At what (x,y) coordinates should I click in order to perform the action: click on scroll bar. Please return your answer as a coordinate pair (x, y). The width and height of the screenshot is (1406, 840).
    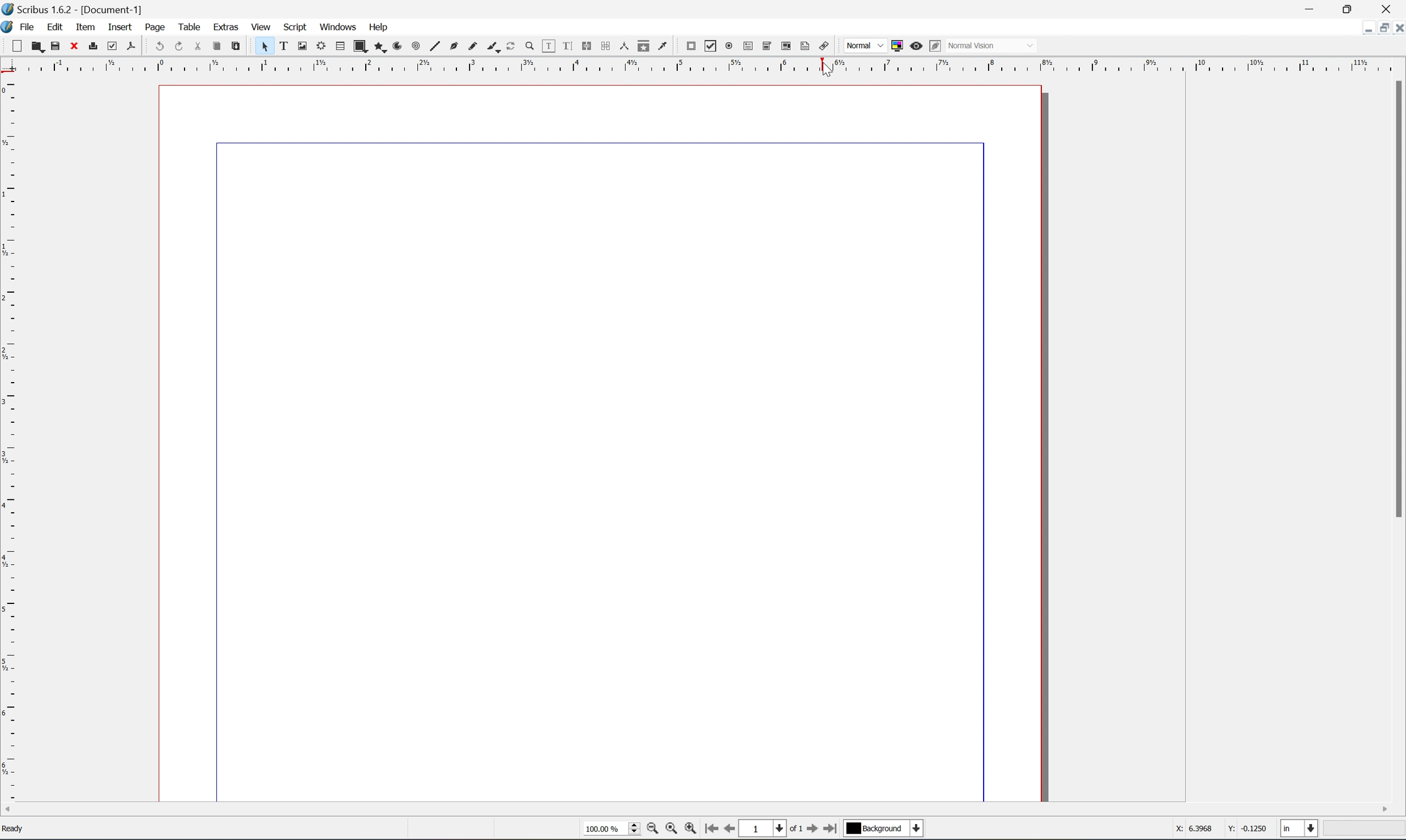
    Looking at the image, I should click on (695, 810).